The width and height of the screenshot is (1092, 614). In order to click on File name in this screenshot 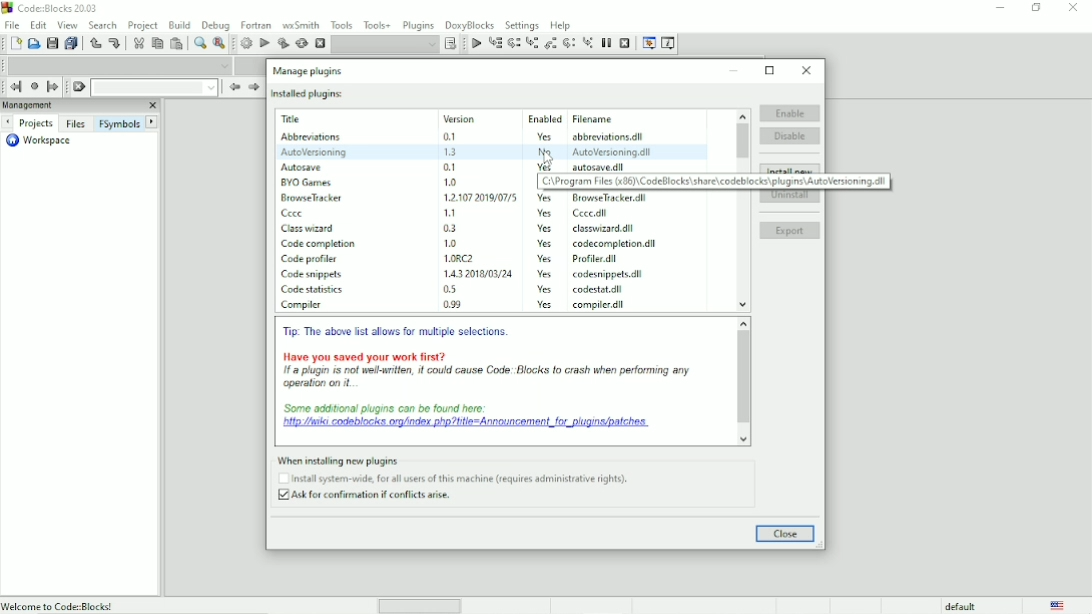, I will do `click(617, 119)`.